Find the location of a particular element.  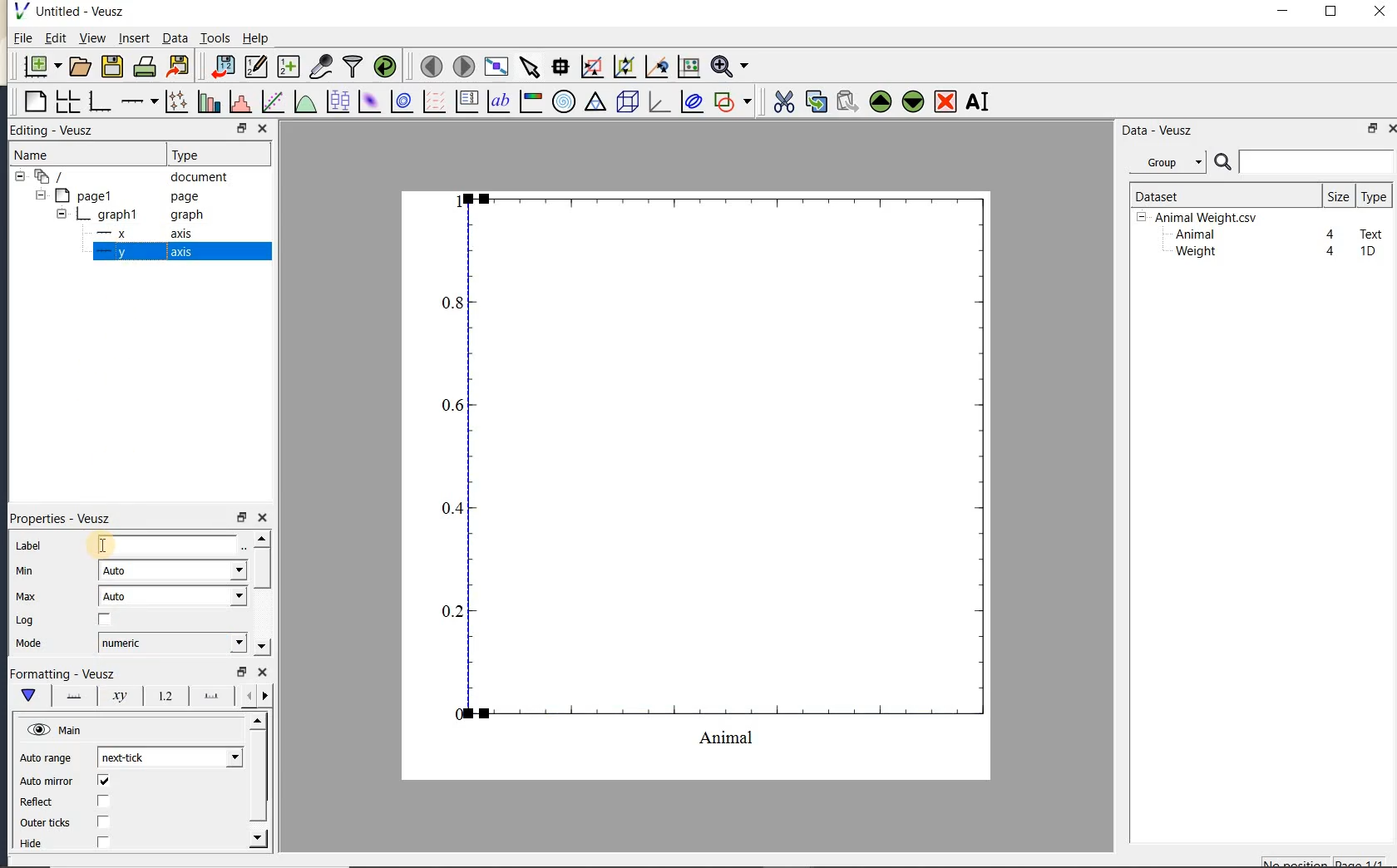

Numeric is located at coordinates (171, 643).